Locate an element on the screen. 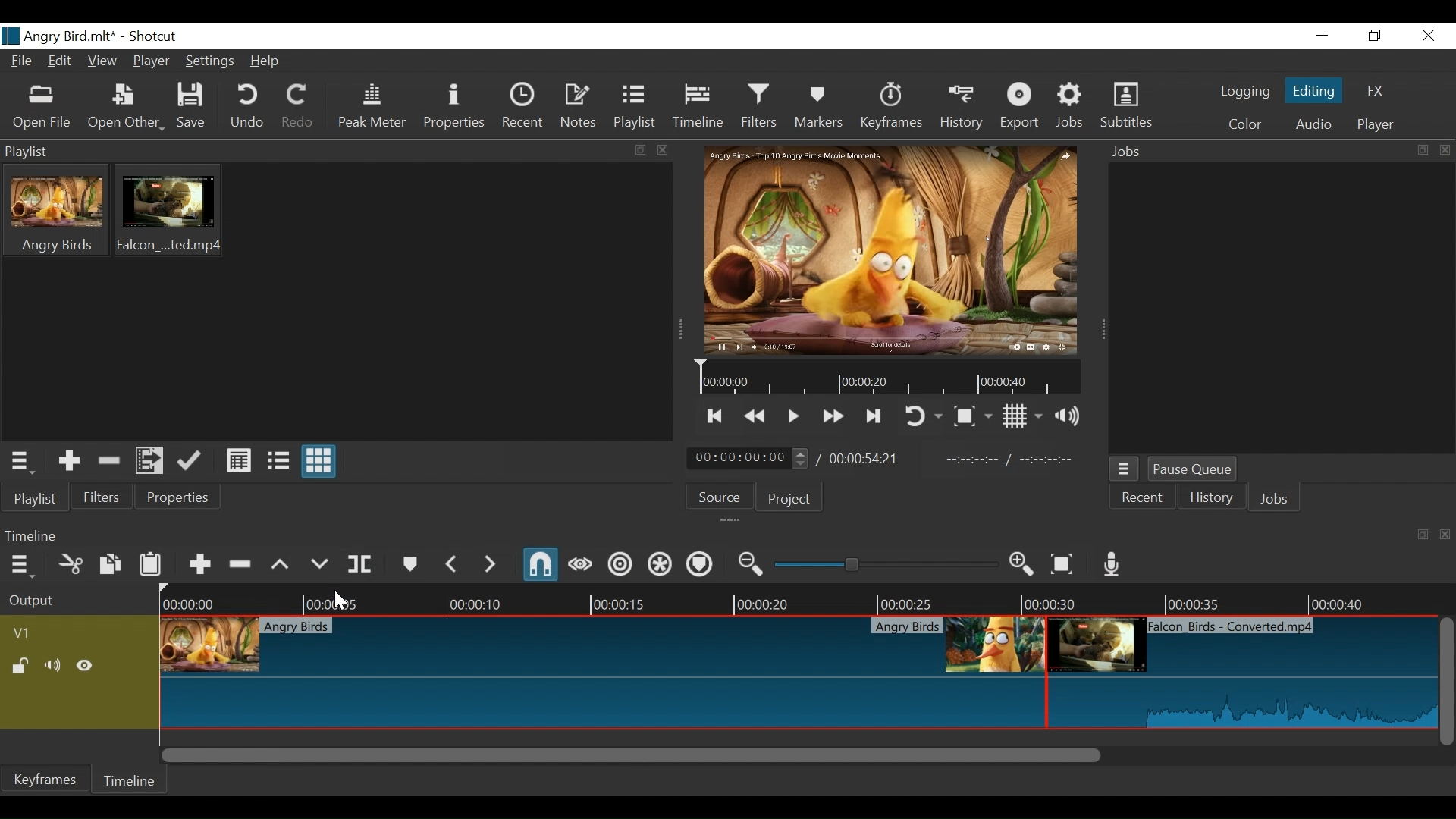 The height and width of the screenshot is (819, 1456). Media Viewer is located at coordinates (886, 249).